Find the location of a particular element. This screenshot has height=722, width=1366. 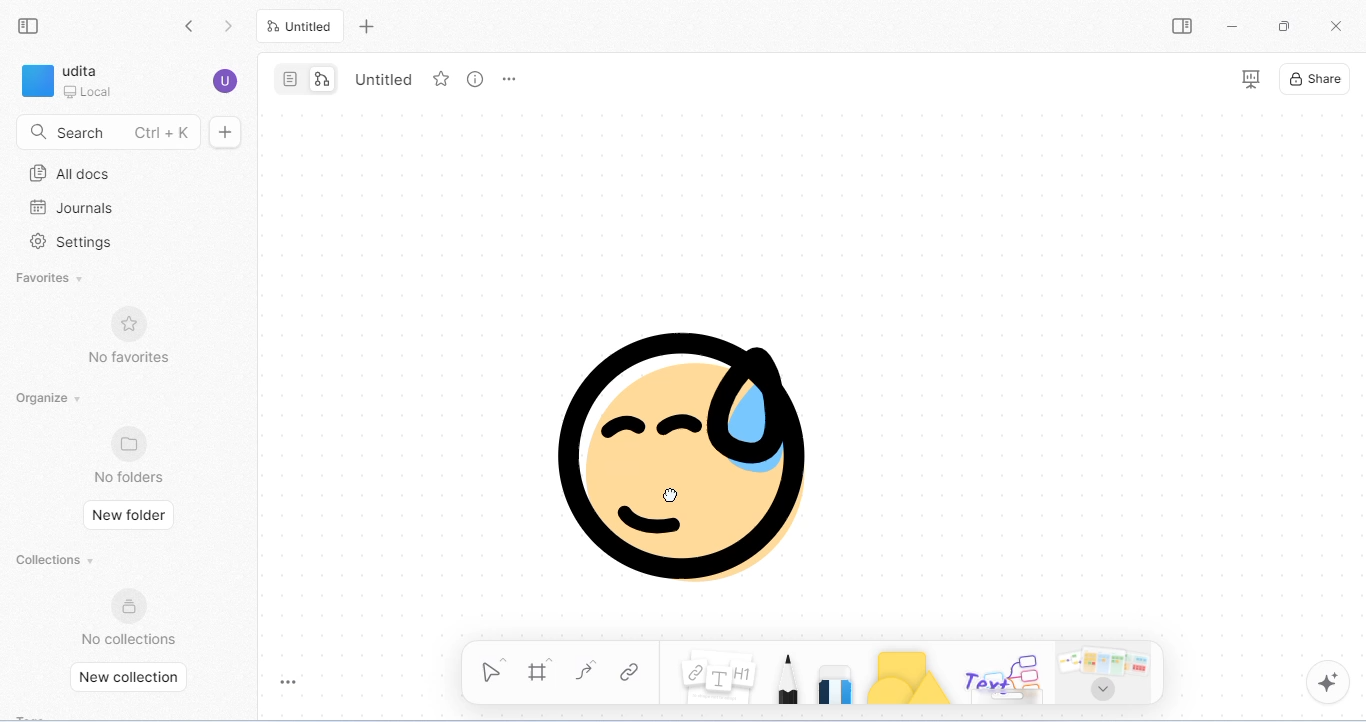

share is located at coordinates (1315, 78).